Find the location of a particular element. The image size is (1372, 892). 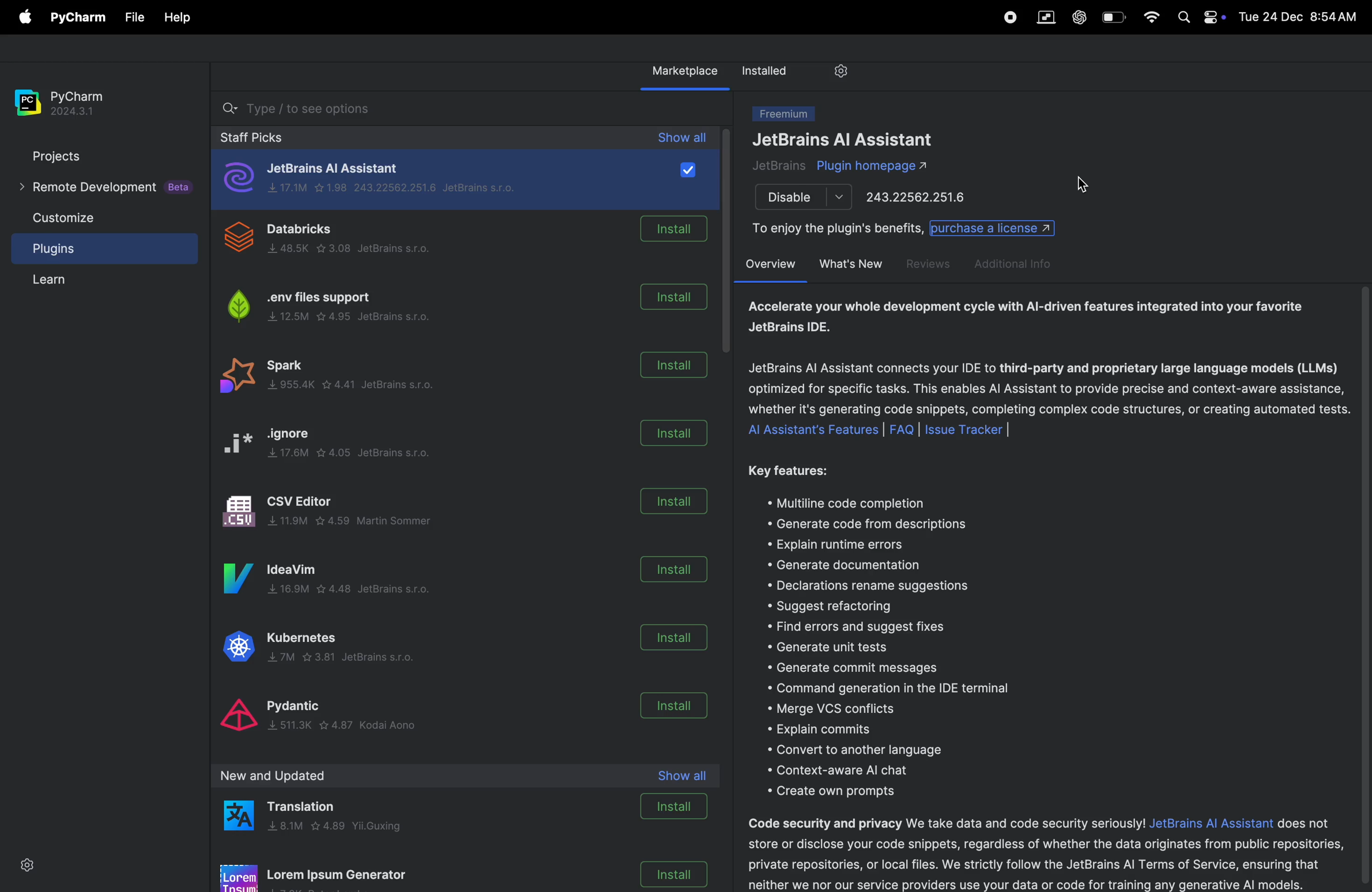

apple widgets is located at coordinates (1197, 18).